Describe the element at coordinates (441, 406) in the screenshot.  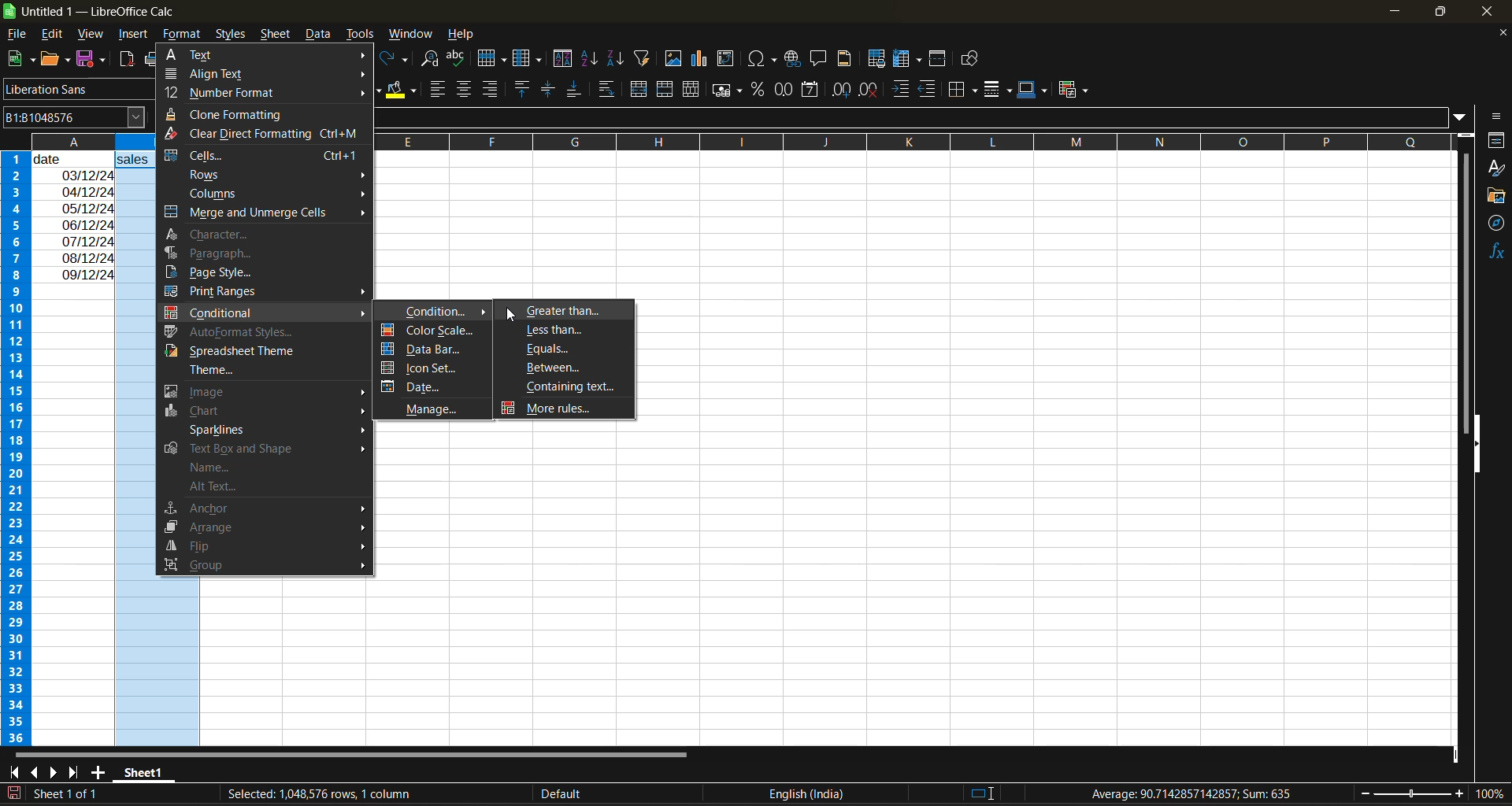
I see `manage` at that location.